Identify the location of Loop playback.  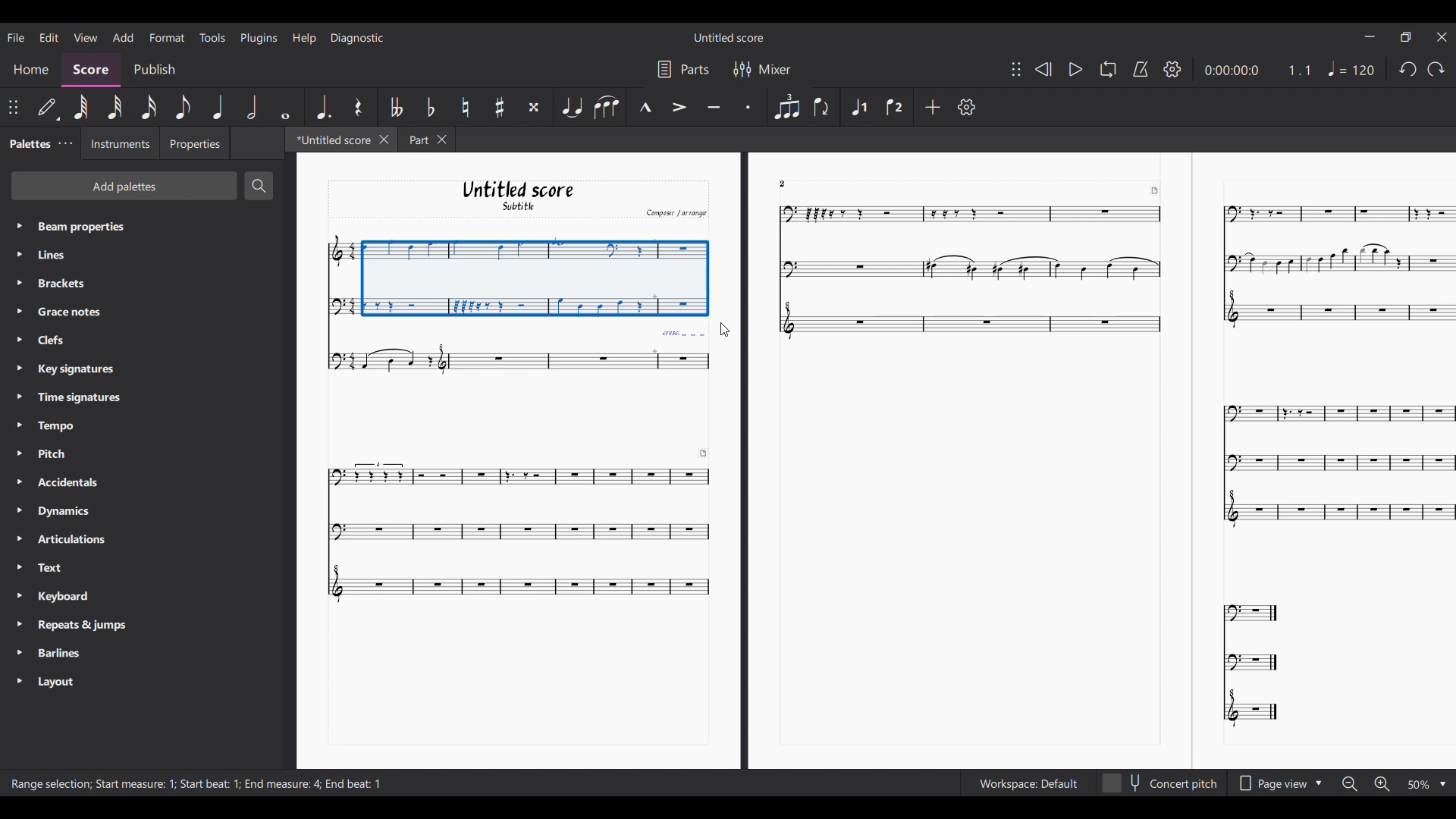
(1107, 70).